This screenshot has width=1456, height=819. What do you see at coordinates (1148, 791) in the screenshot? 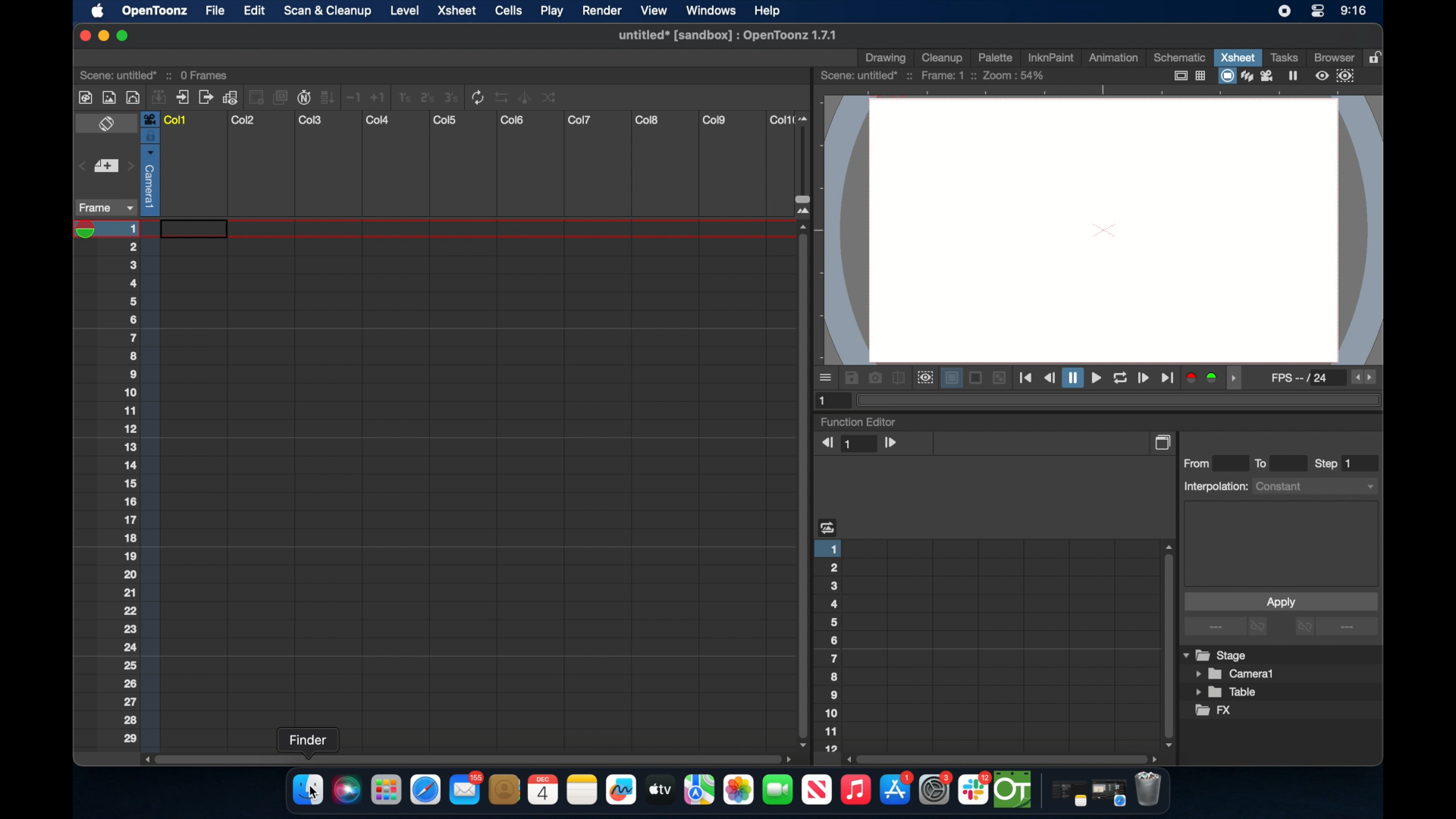
I see `trash` at bounding box center [1148, 791].